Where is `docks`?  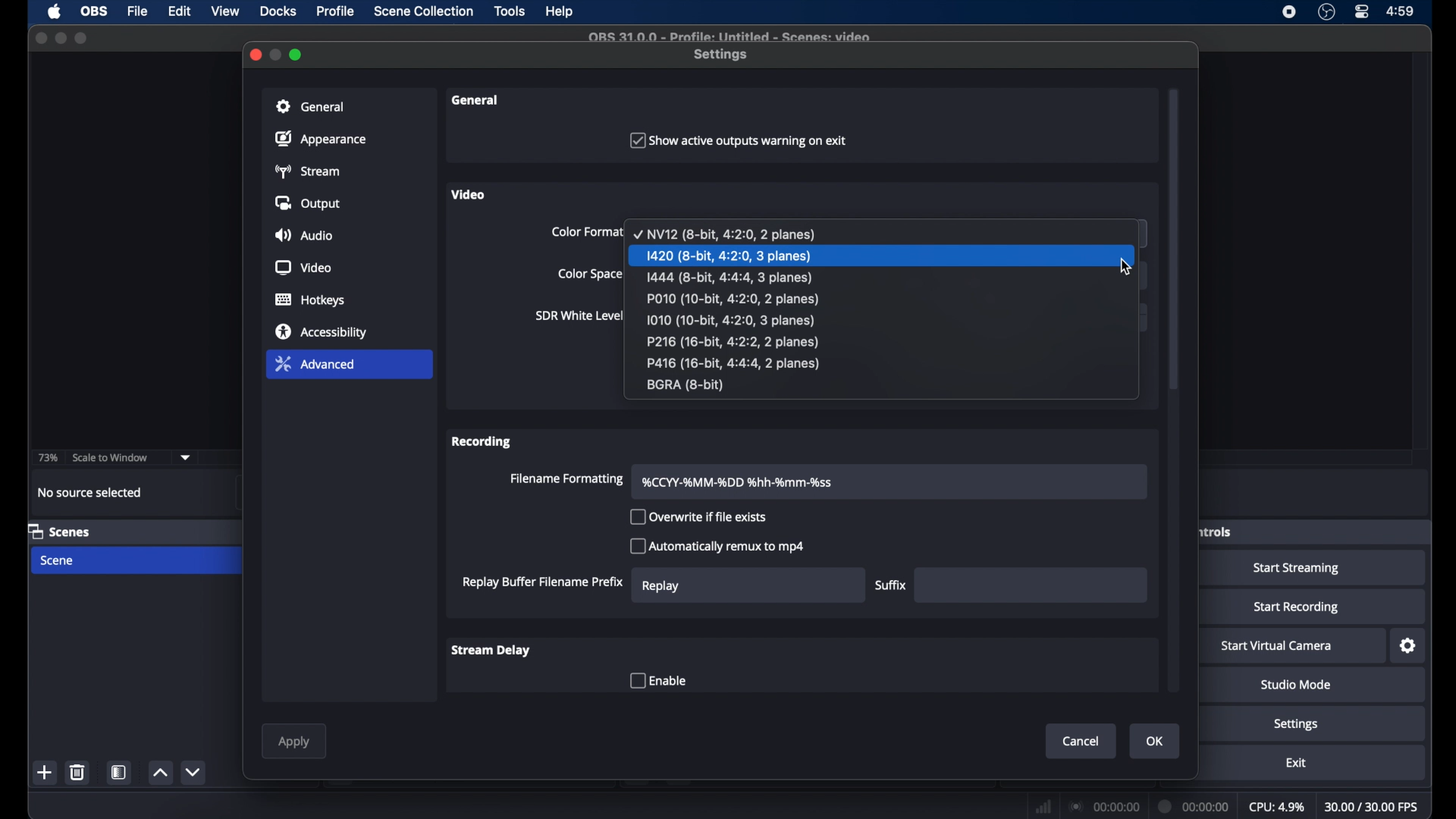
docks is located at coordinates (278, 11).